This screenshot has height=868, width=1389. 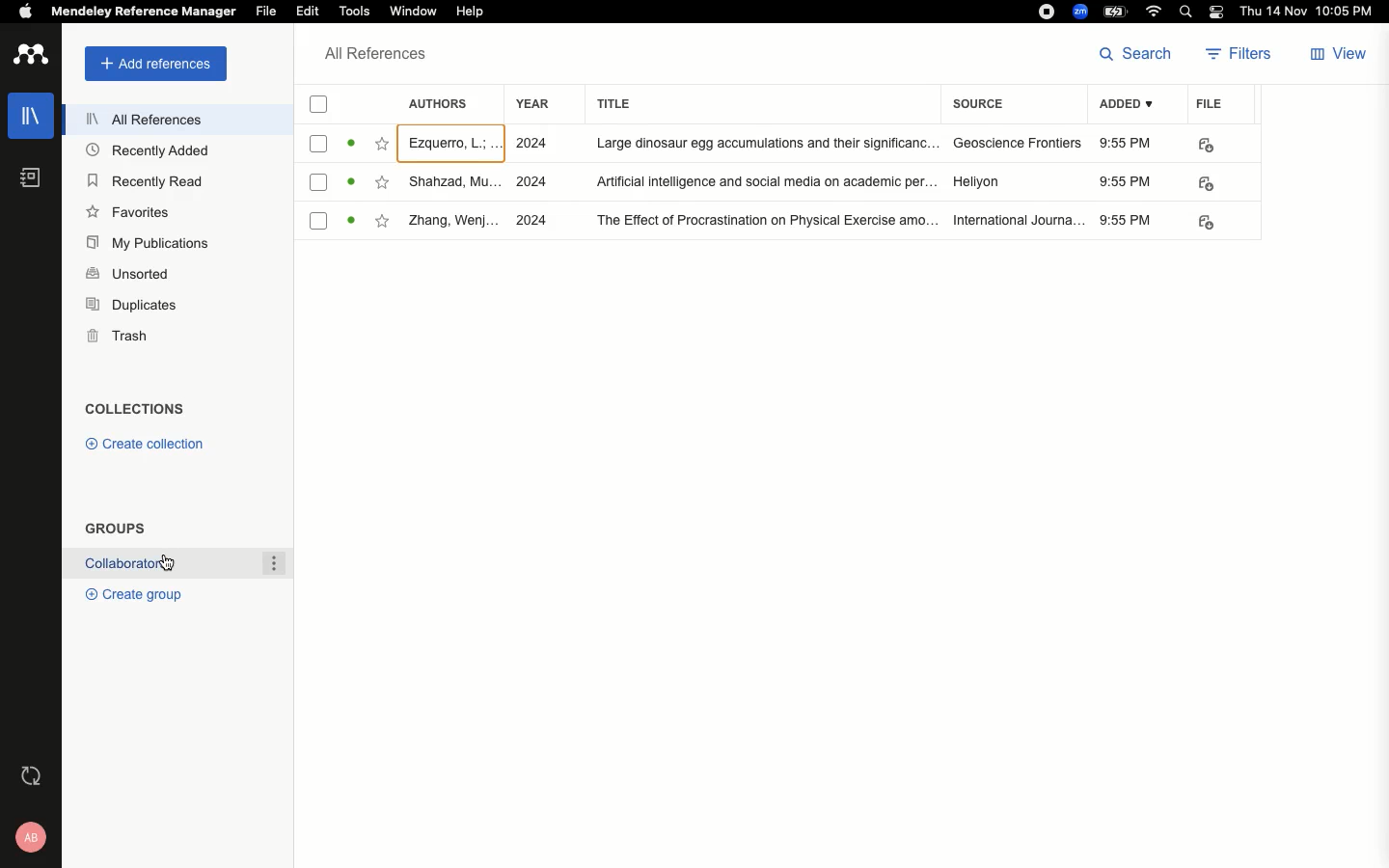 What do you see at coordinates (266, 12) in the screenshot?
I see `File` at bounding box center [266, 12].